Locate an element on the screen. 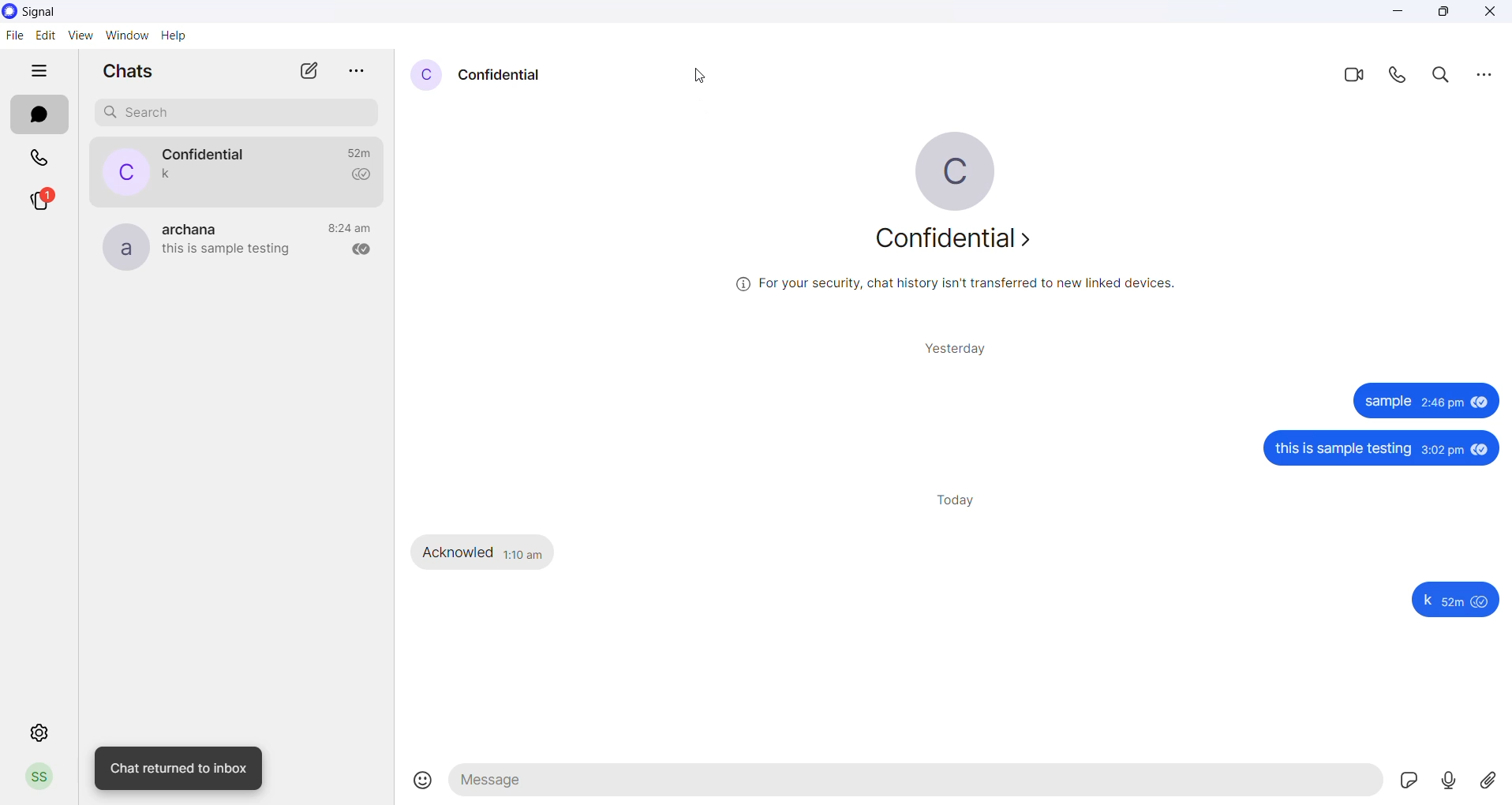 The image size is (1512, 805). chat unarchived message is located at coordinates (178, 766).